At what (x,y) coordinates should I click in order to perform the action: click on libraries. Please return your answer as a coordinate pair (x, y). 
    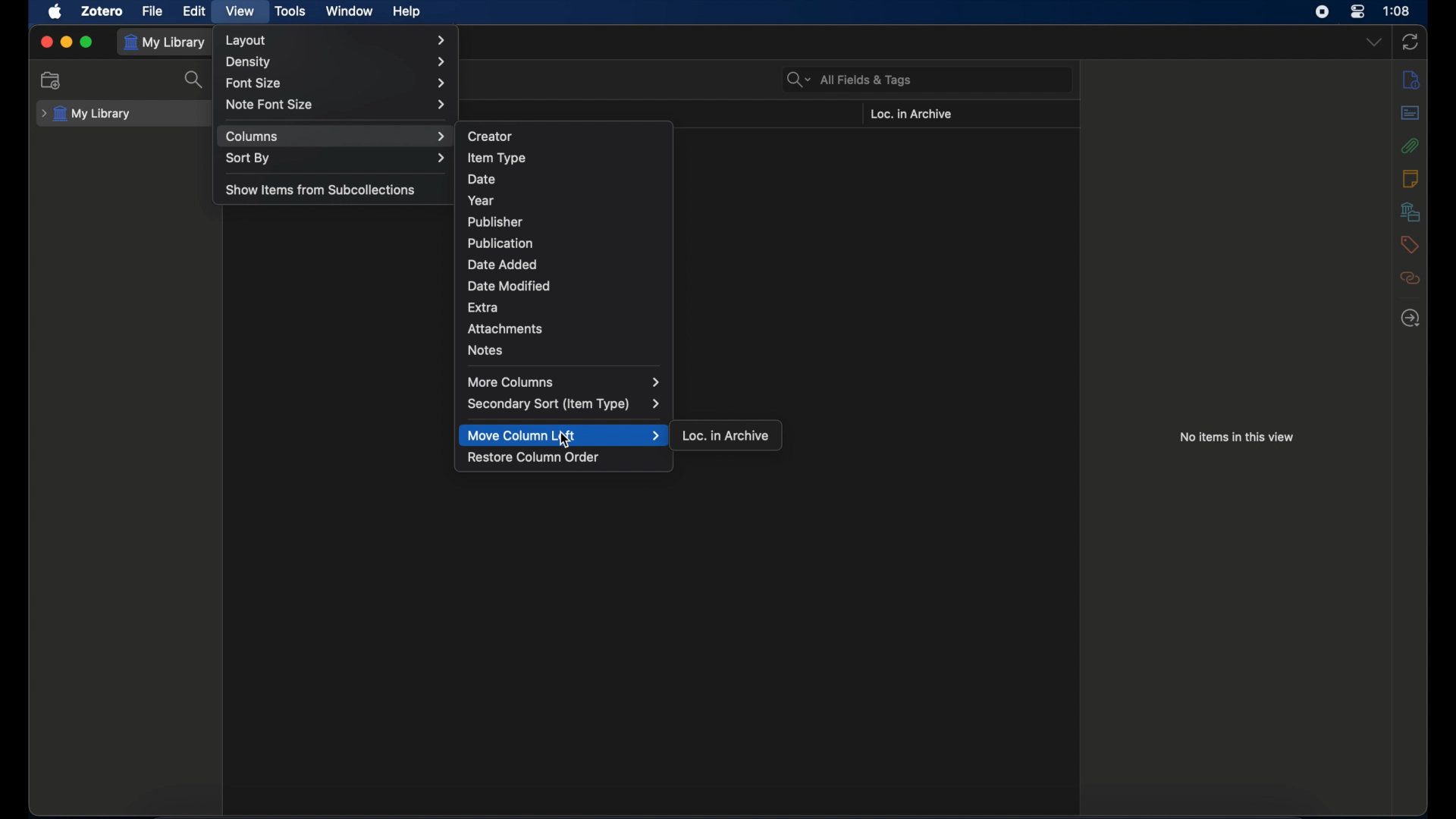
    Looking at the image, I should click on (1410, 212).